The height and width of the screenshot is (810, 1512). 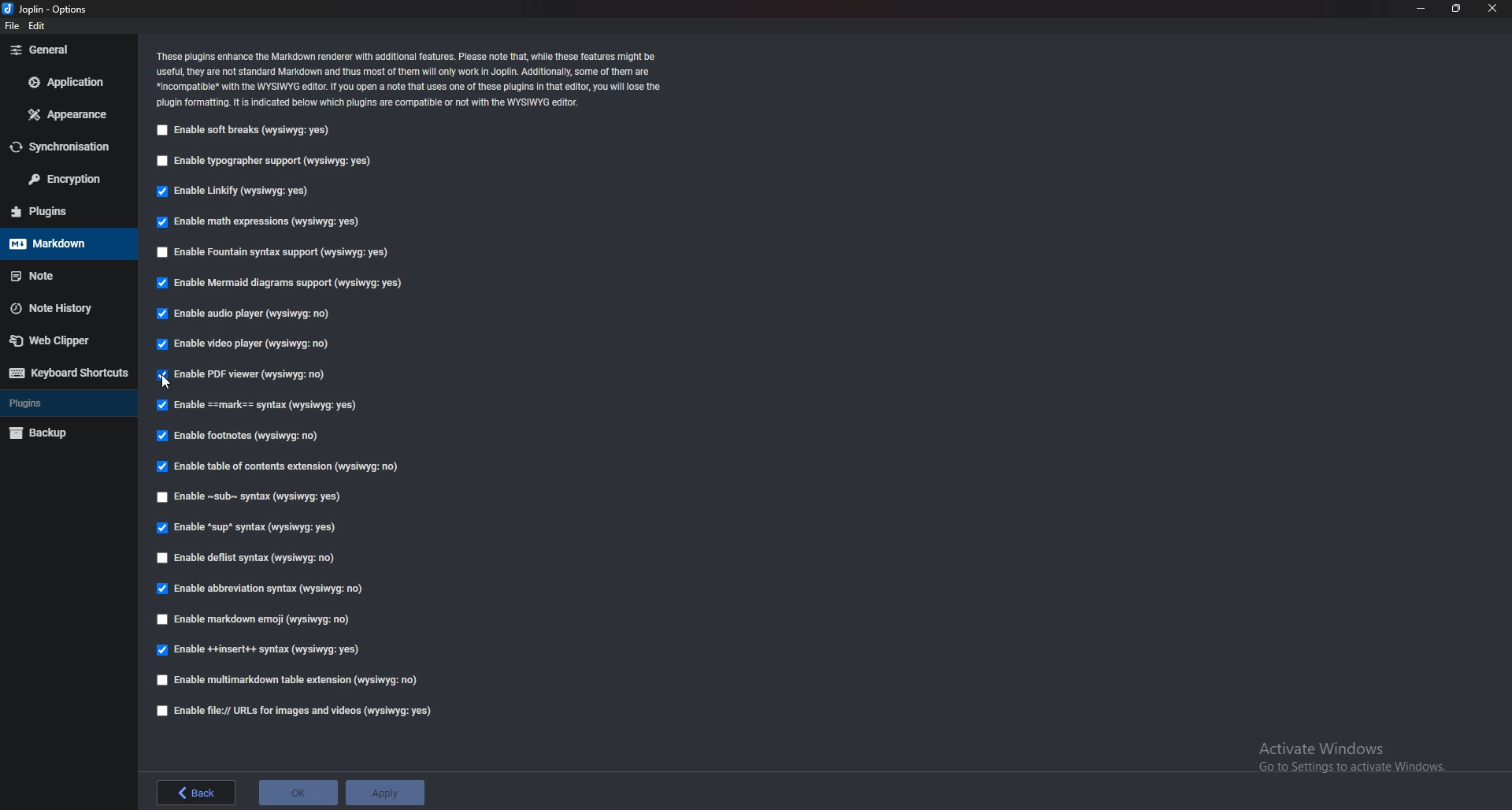 I want to click on Web clipper, so click(x=61, y=338).